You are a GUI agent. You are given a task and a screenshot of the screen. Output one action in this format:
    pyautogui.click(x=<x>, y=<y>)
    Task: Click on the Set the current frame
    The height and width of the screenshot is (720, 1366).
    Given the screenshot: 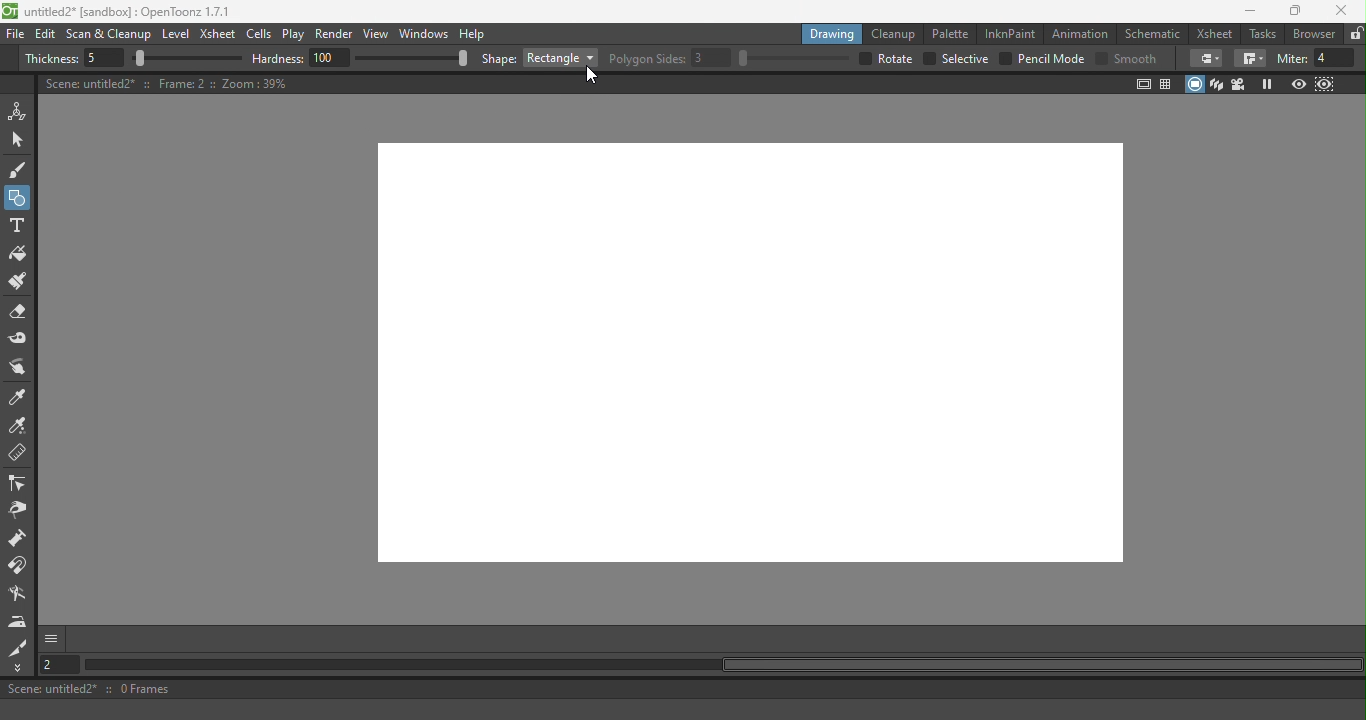 What is the action you would take?
    pyautogui.click(x=58, y=666)
    